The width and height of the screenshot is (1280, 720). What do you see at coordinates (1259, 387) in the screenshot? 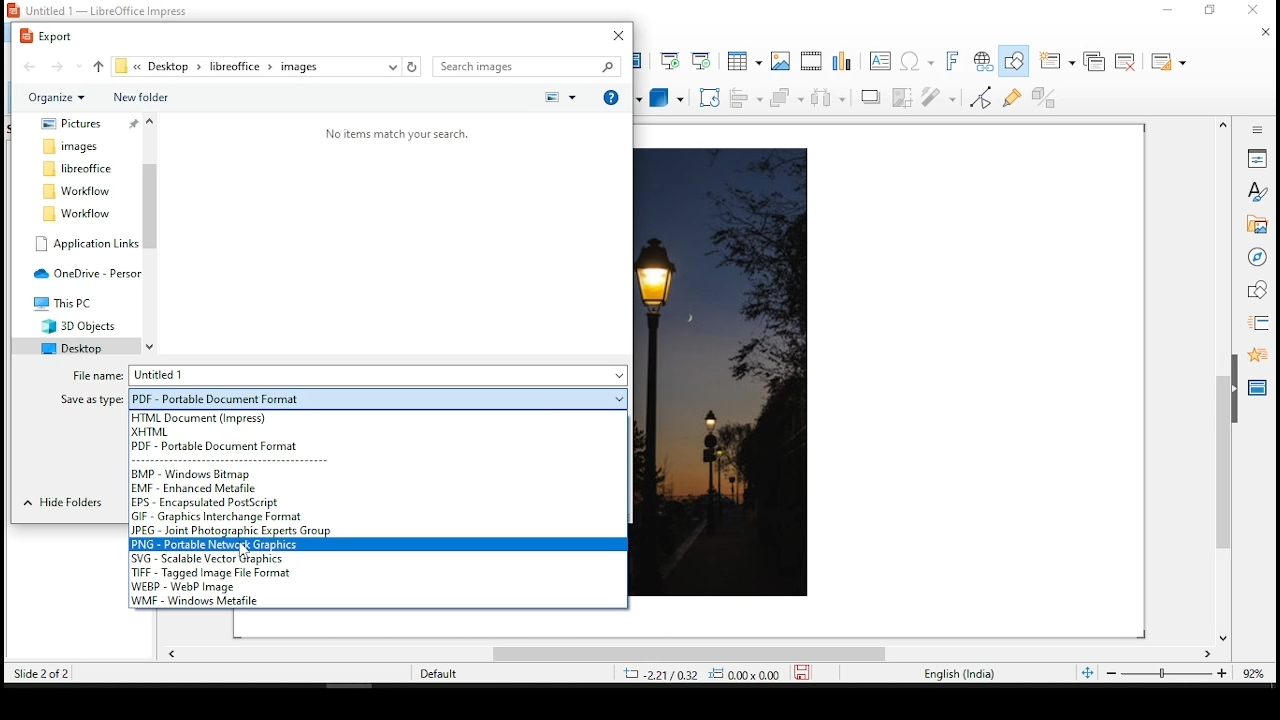
I see `master slides` at bounding box center [1259, 387].